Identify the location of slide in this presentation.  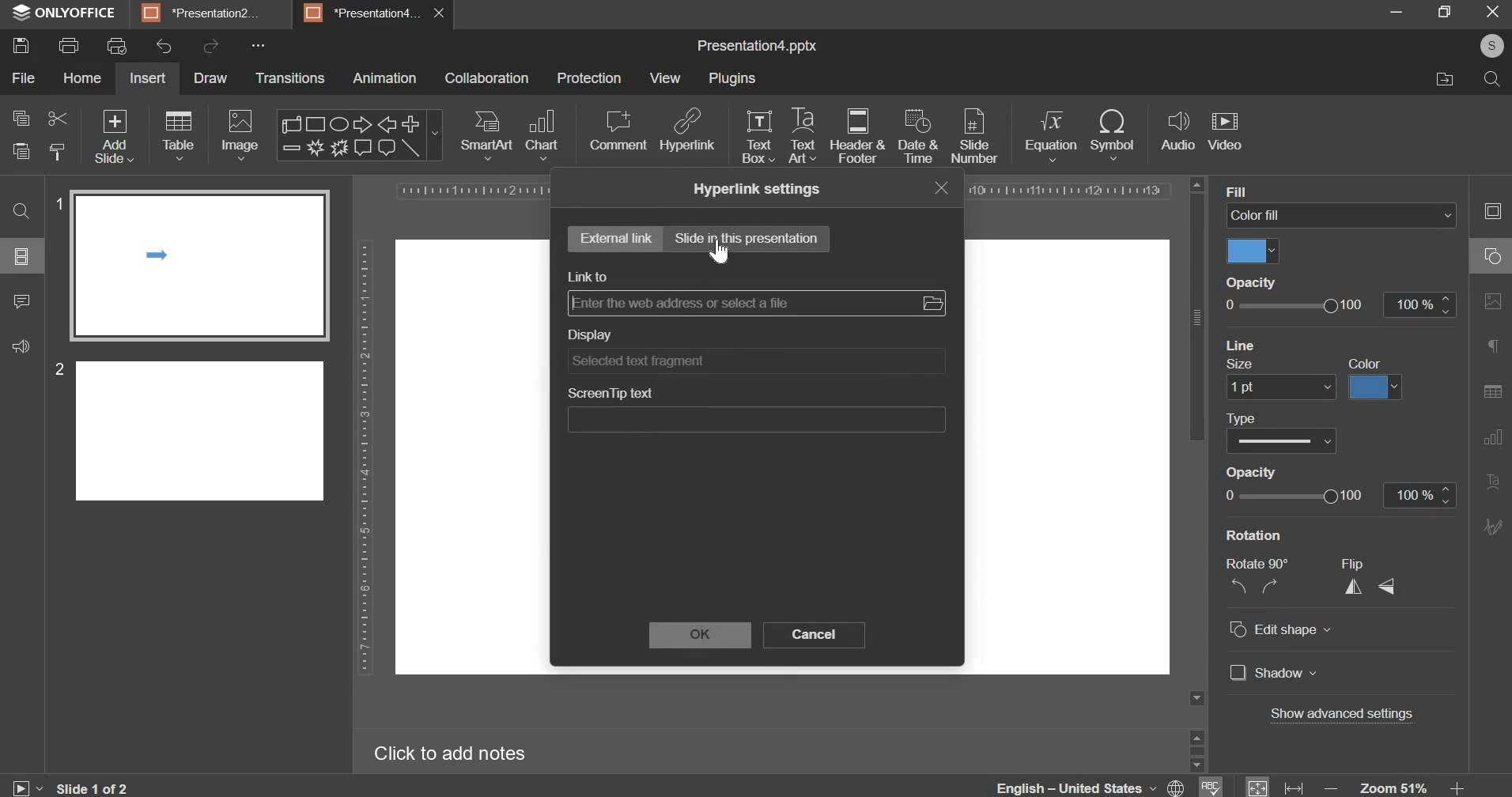
(746, 240).